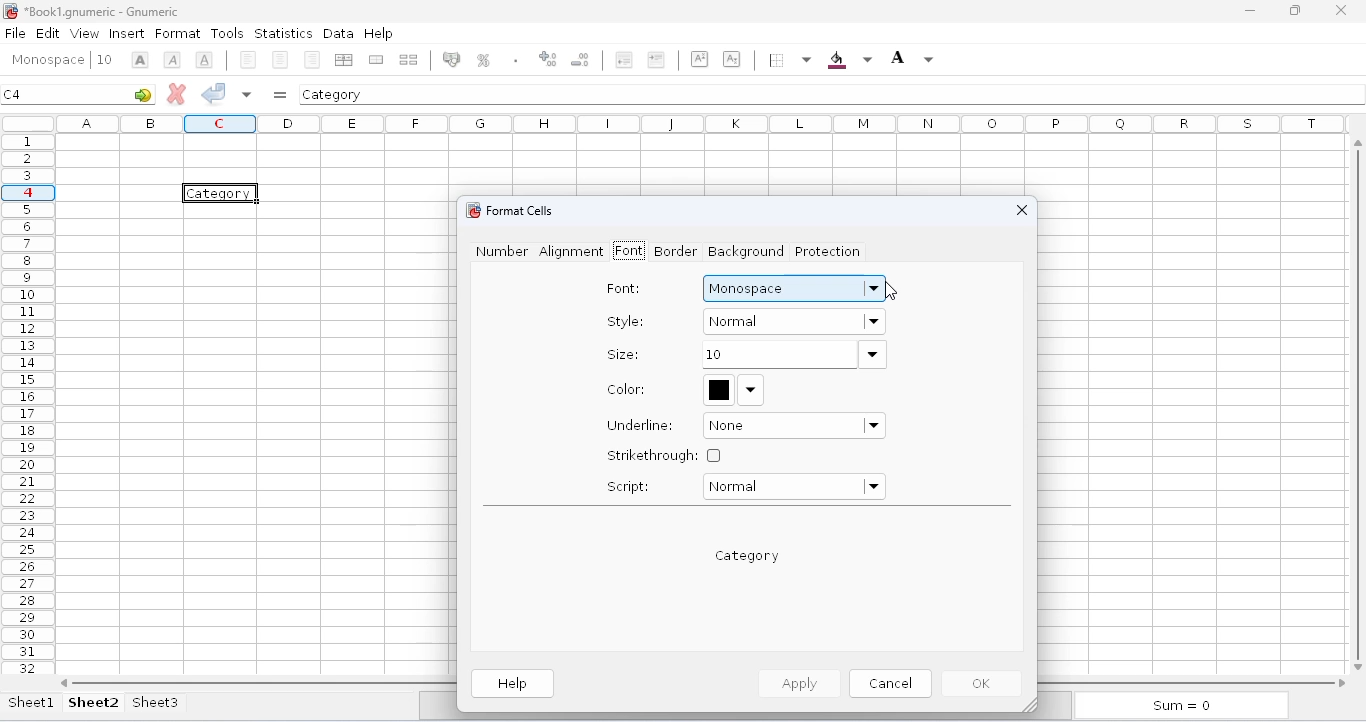  Describe the element at coordinates (204, 59) in the screenshot. I see `underline` at that location.